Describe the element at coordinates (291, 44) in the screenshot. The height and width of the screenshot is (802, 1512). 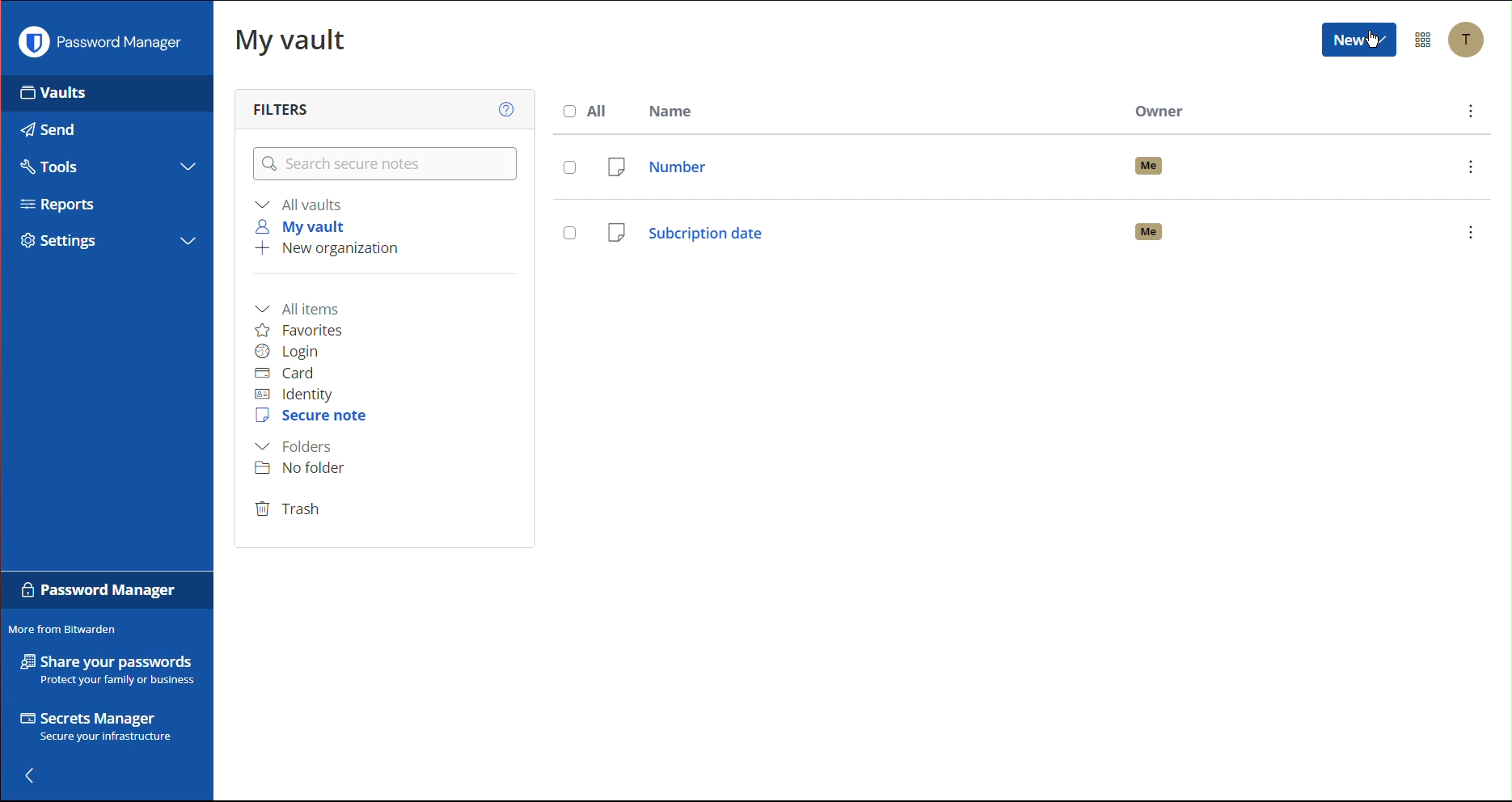
I see `My vault` at that location.